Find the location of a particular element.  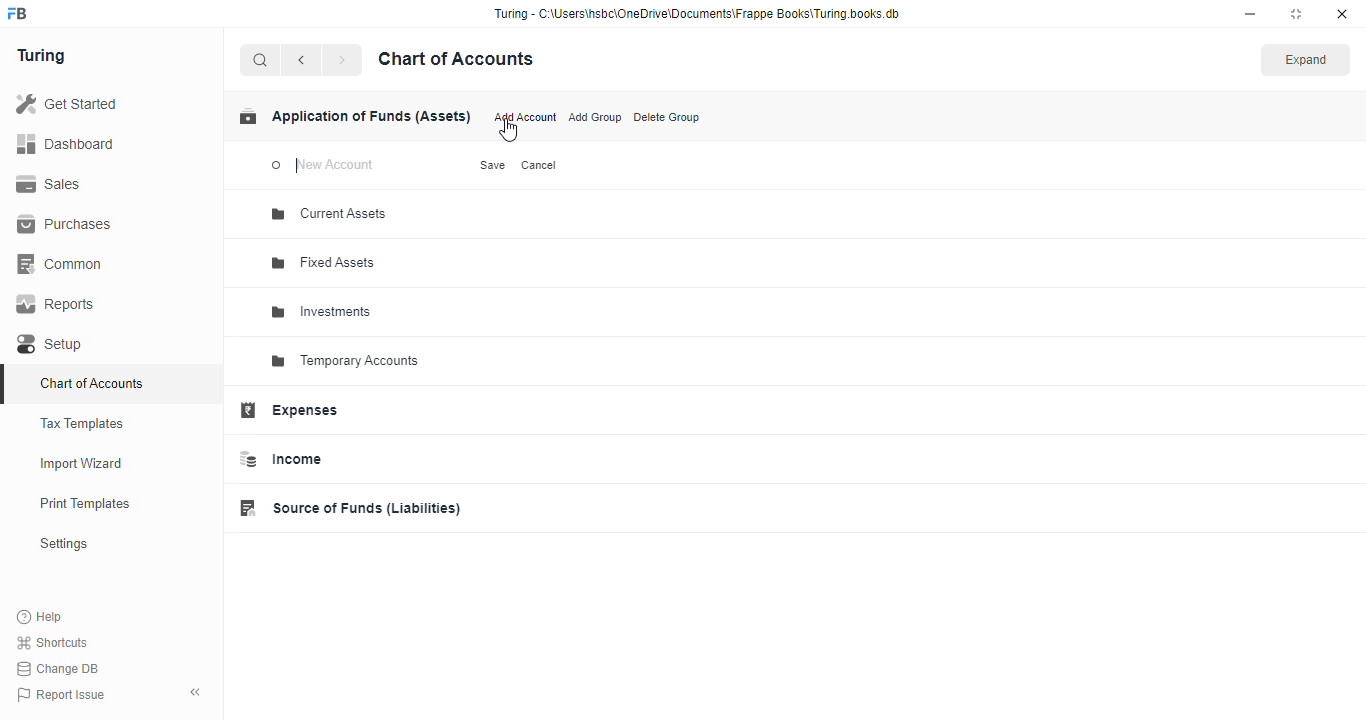

import wizard is located at coordinates (82, 464).